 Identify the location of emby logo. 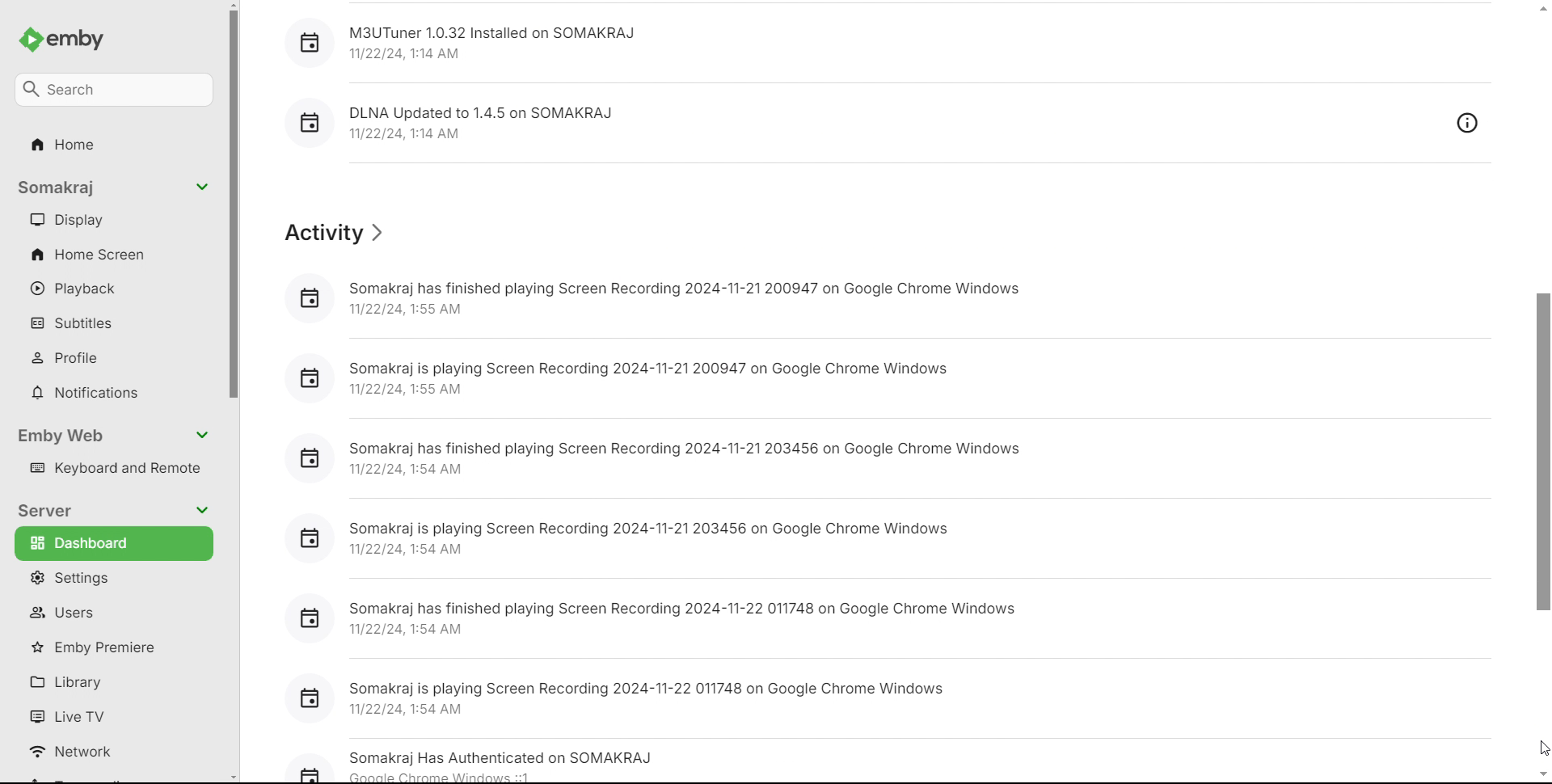
(30, 41).